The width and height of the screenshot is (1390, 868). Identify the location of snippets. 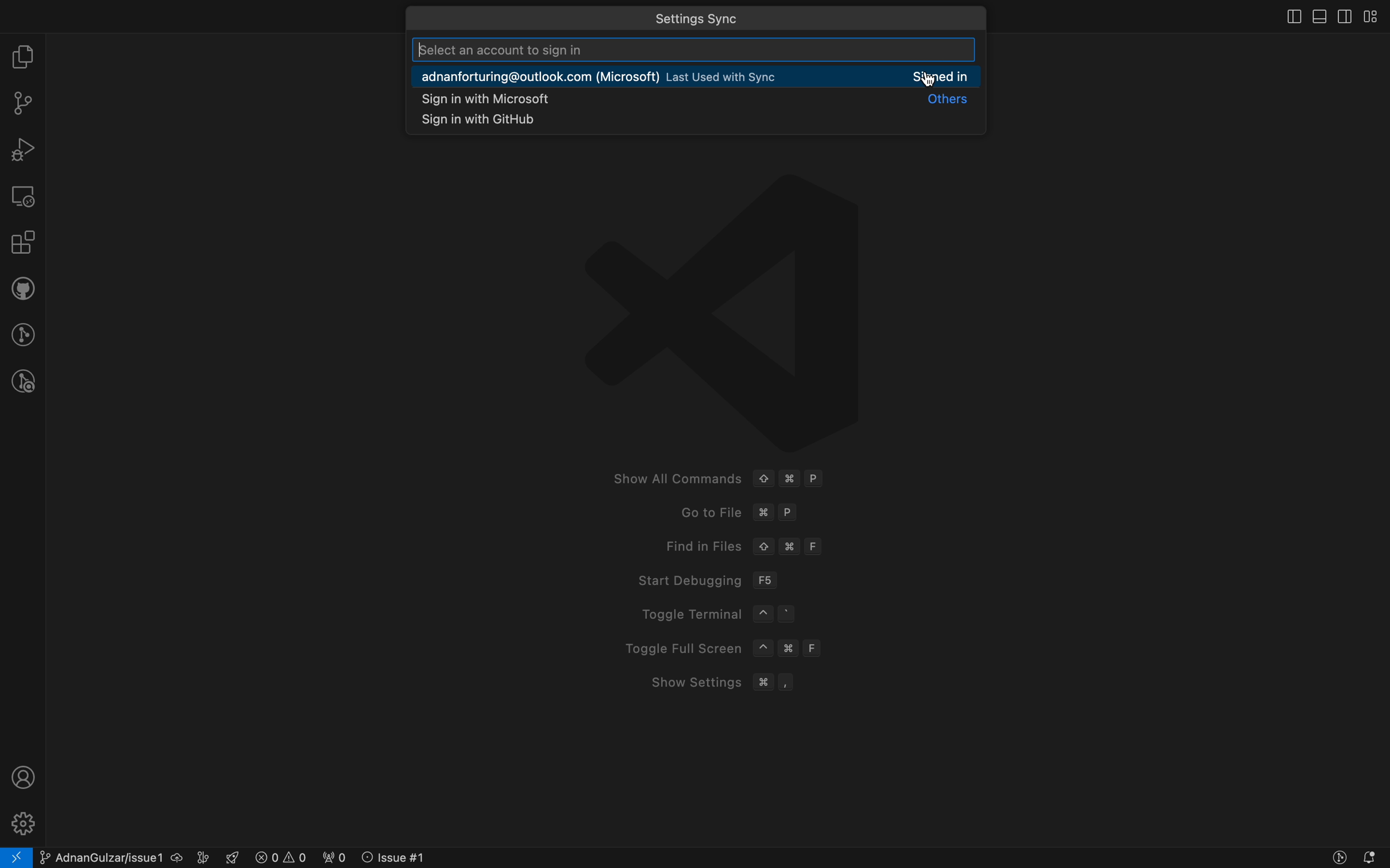
(489, 121).